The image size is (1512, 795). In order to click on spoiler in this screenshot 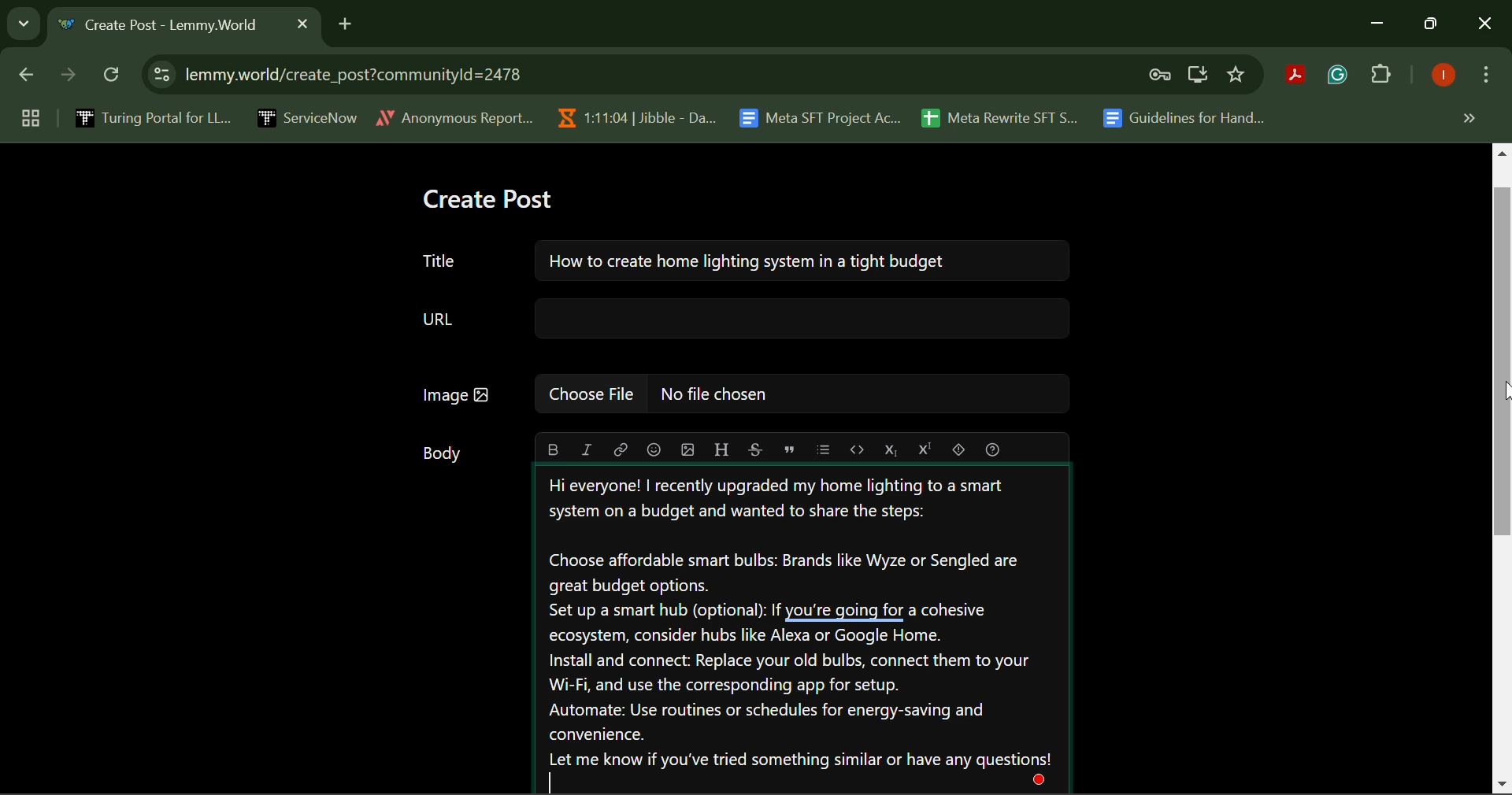, I will do `click(958, 449)`.